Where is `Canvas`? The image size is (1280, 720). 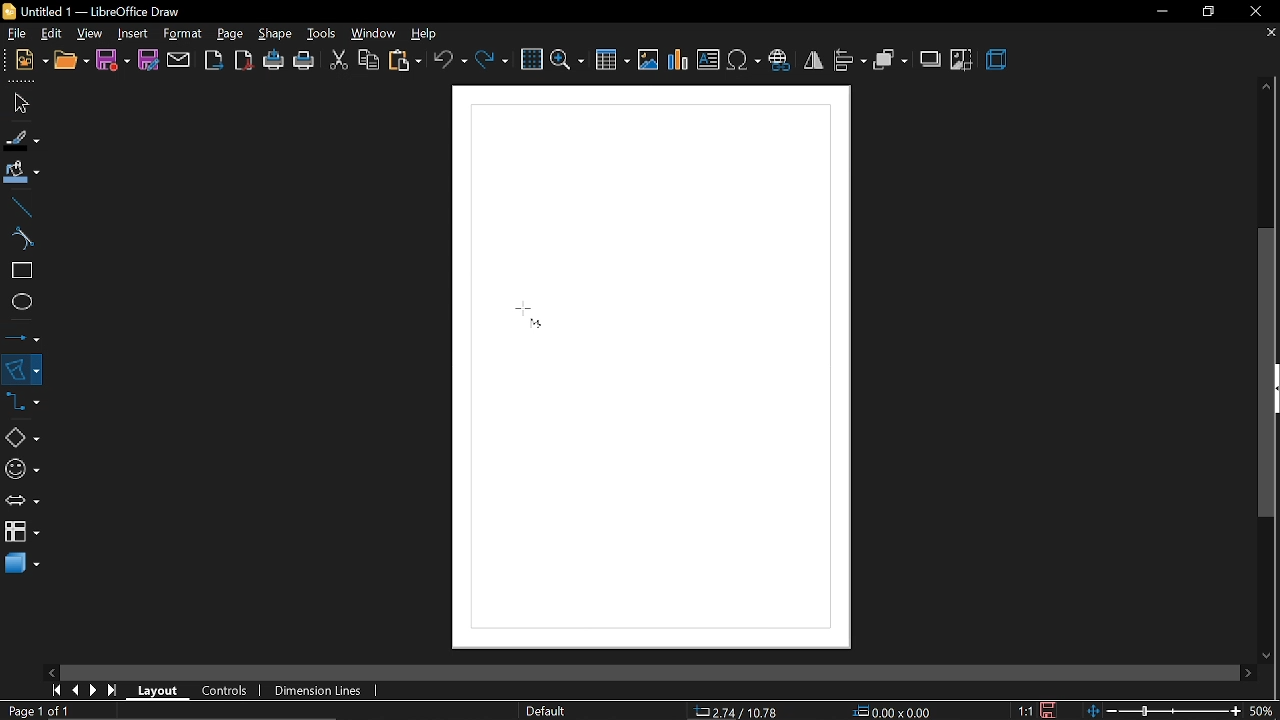 Canvas is located at coordinates (648, 366).